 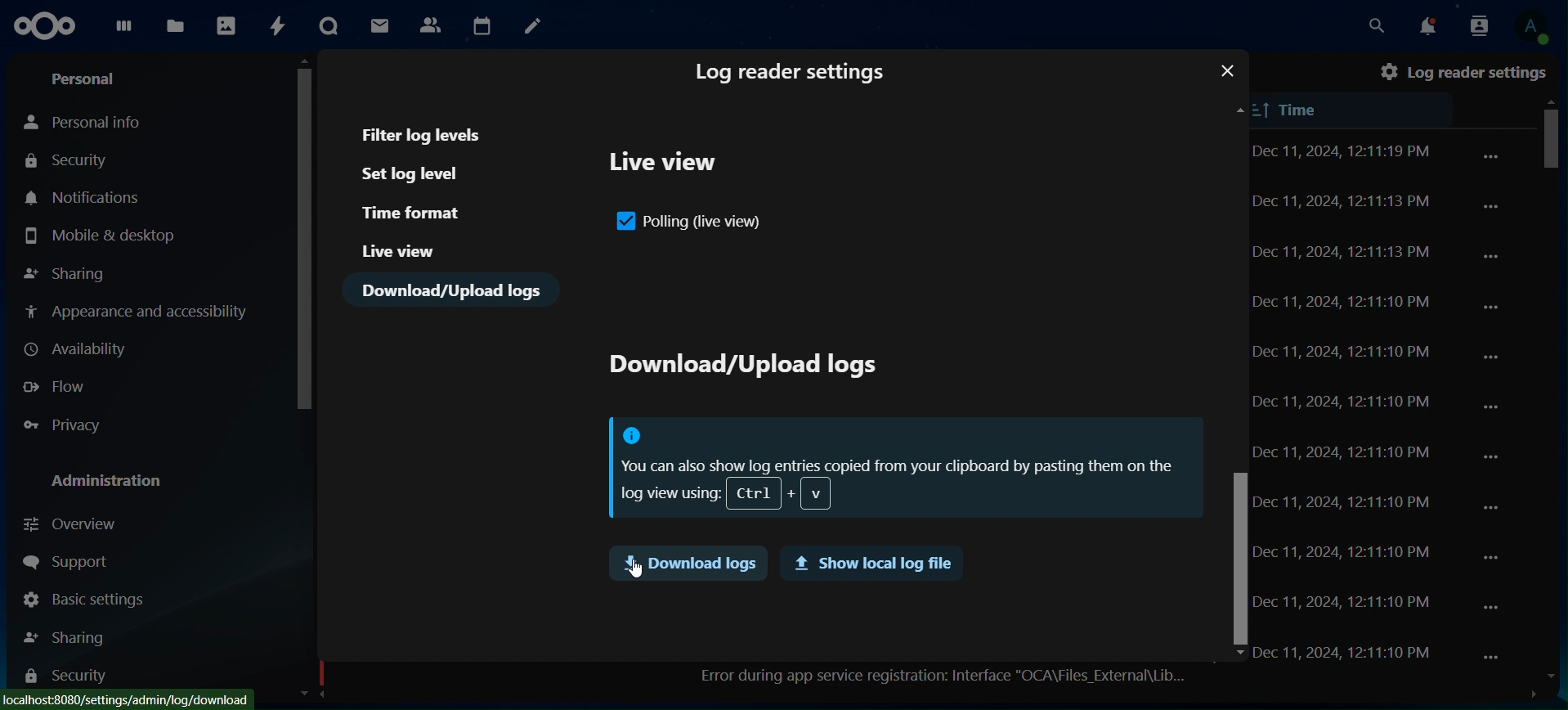 What do you see at coordinates (424, 134) in the screenshot?
I see `filter log levels` at bounding box center [424, 134].